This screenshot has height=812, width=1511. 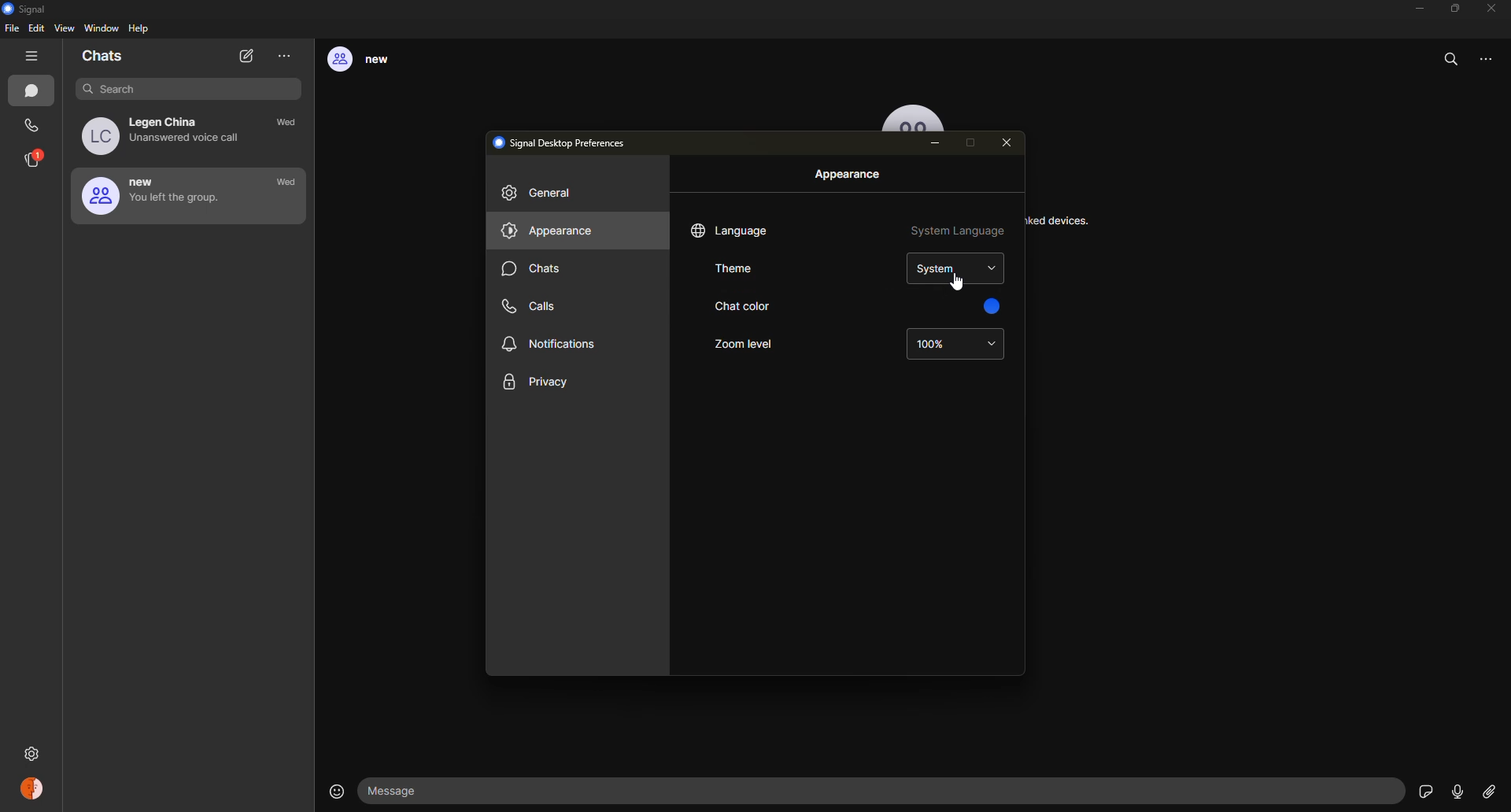 What do you see at coordinates (1488, 792) in the screenshot?
I see `attach` at bounding box center [1488, 792].